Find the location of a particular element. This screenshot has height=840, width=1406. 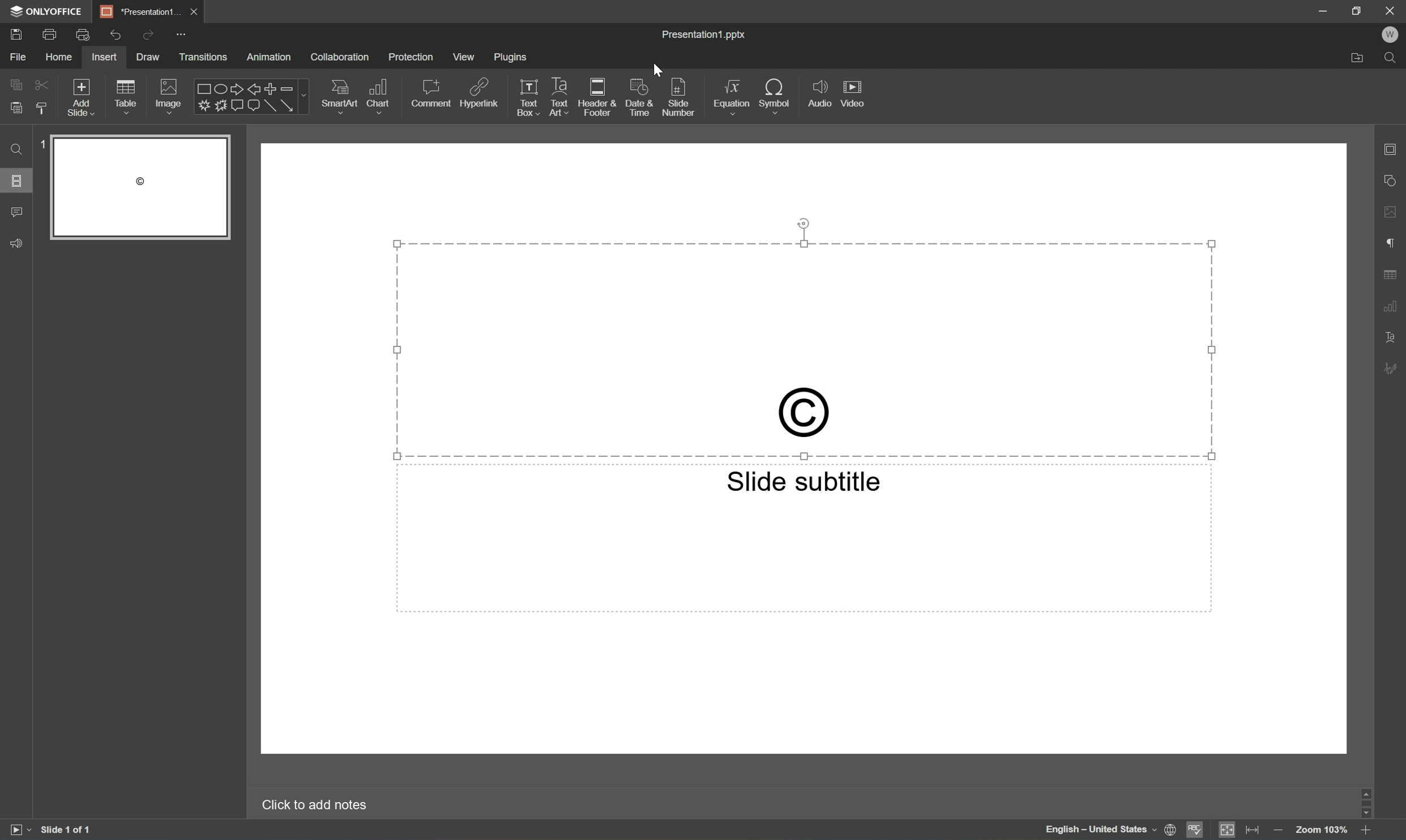

Video is located at coordinates (853, 93).